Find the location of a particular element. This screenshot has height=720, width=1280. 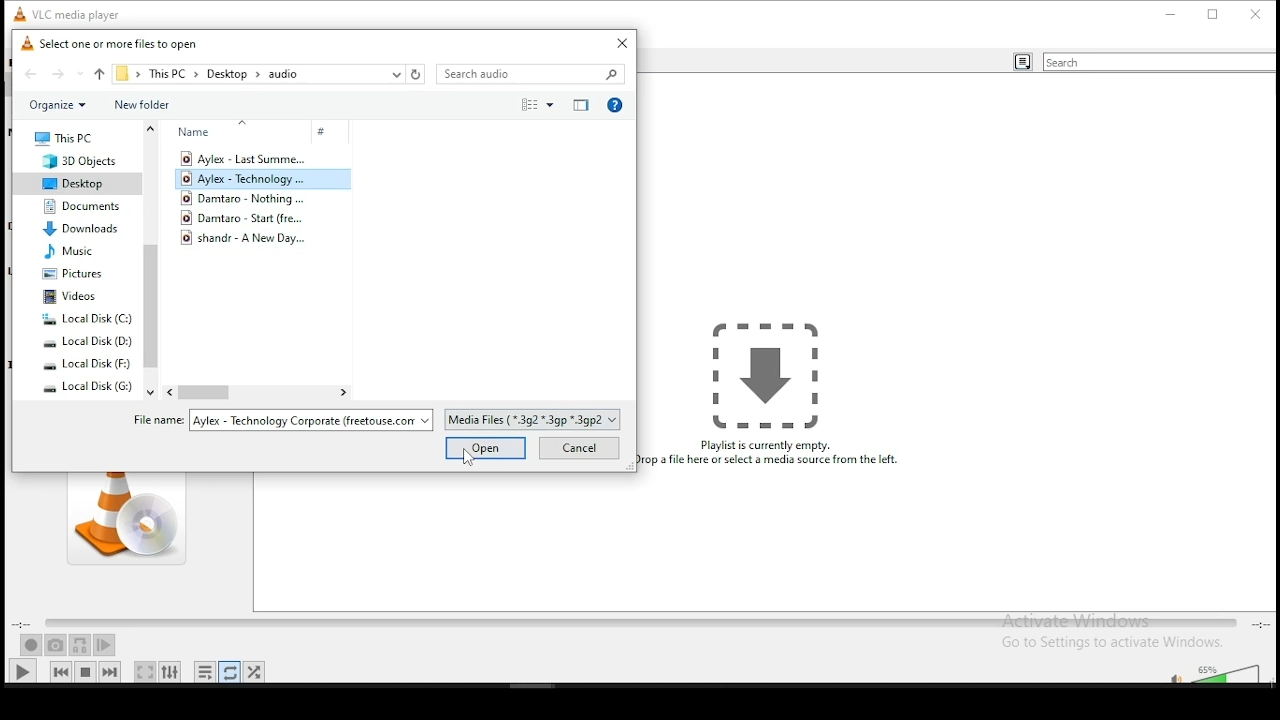

change view is located at coordinates (532, 106).